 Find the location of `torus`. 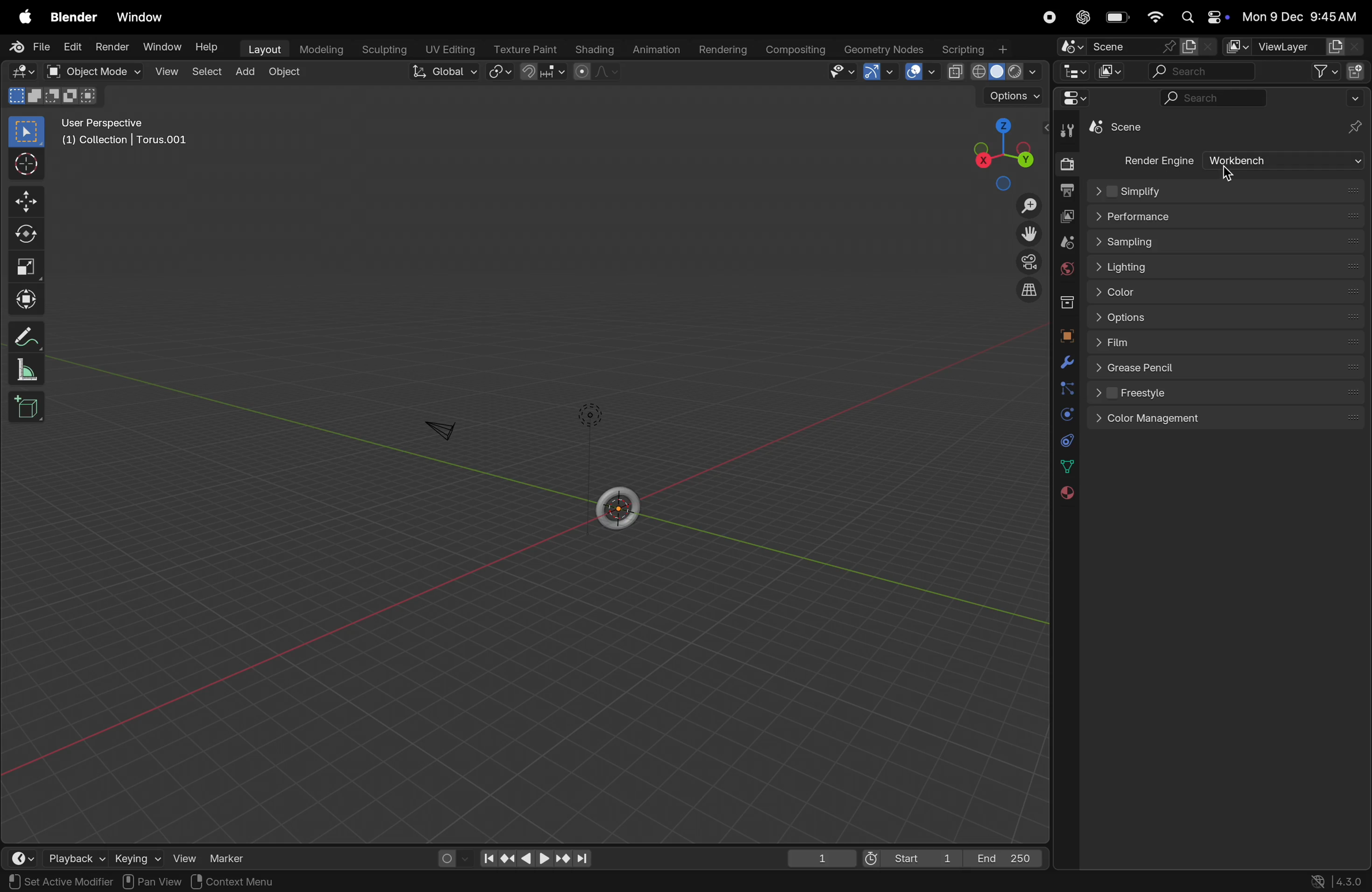

torus is located at coordinates (619, 505).